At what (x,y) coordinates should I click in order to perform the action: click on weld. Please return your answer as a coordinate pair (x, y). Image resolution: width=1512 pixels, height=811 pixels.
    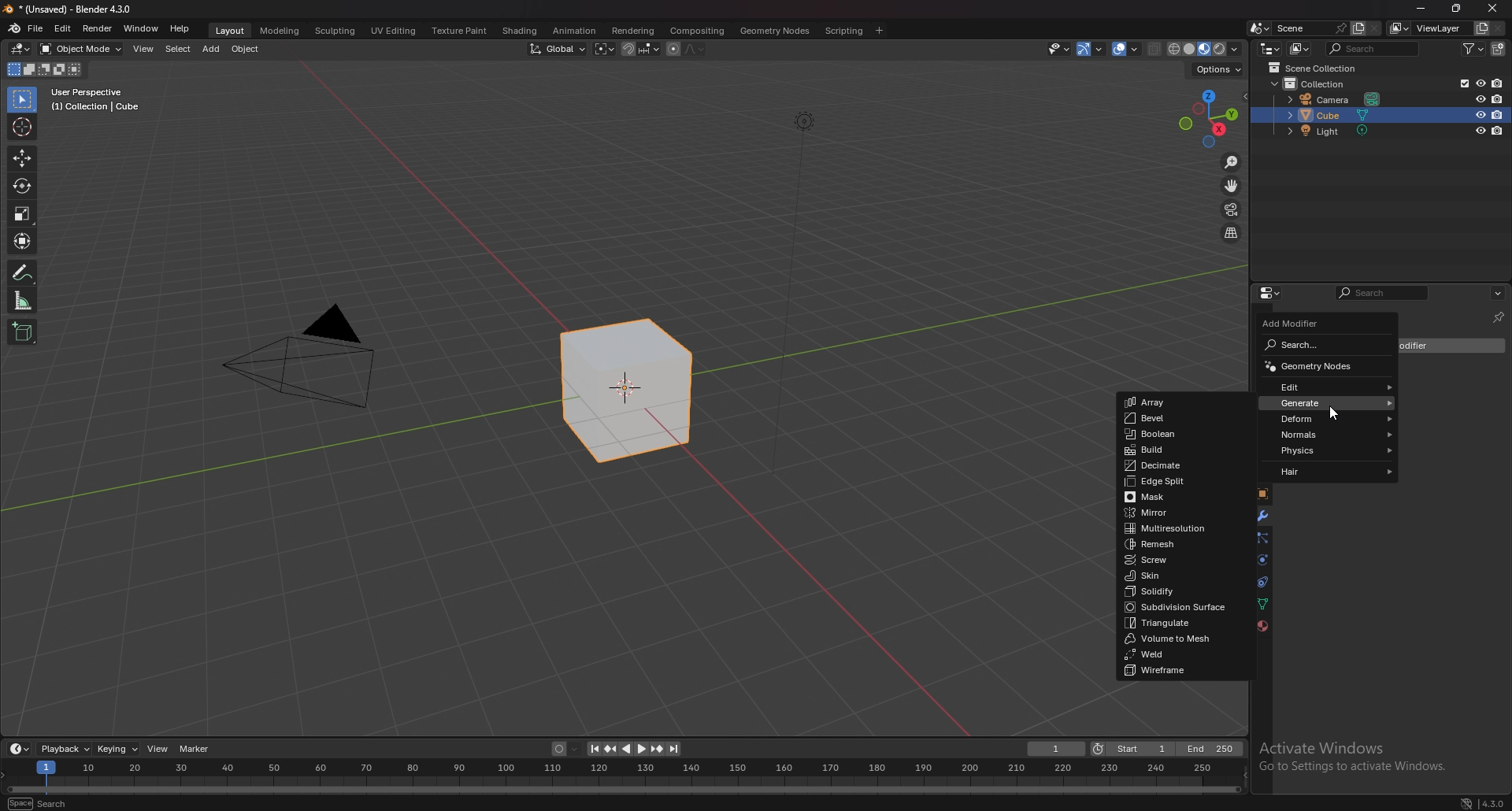
    Looking at the image, I should click on (1184, 655).